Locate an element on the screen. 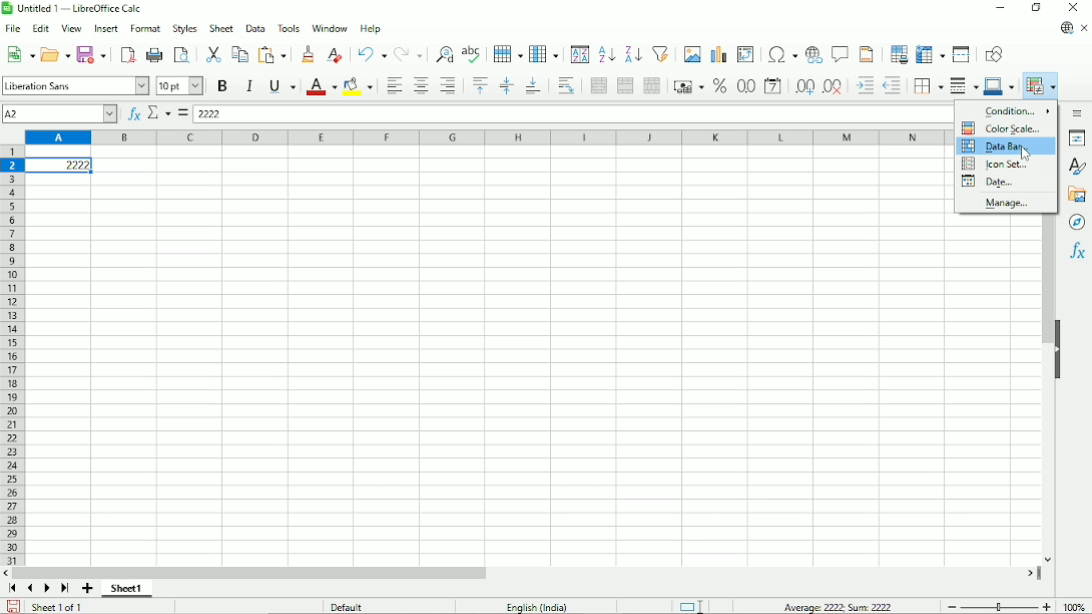  Sheet 1 of 1 is located at coordinates (58, 606).